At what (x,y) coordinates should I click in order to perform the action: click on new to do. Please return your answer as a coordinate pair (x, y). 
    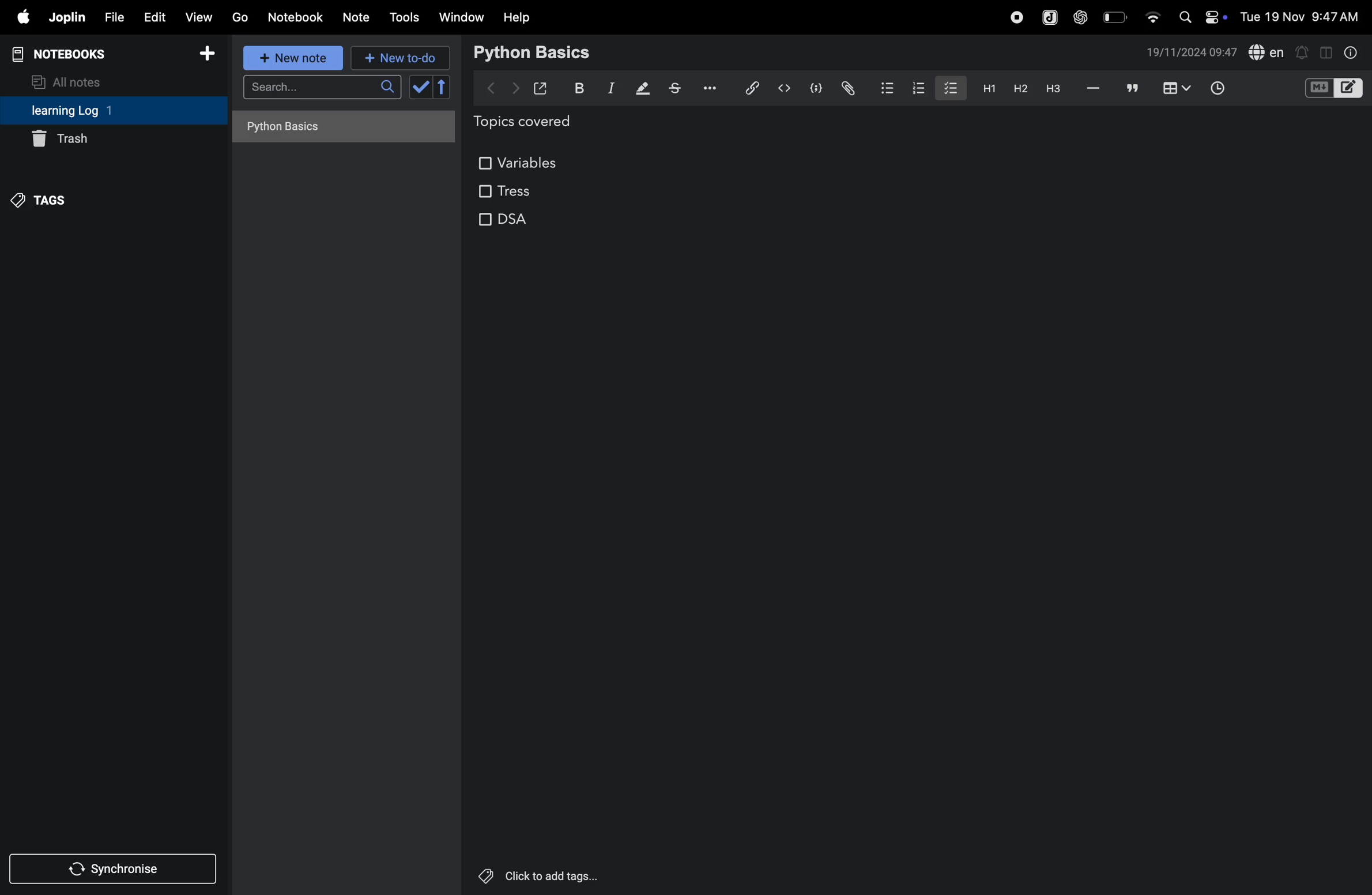
    Looking at the image, I should click on (395, 55).